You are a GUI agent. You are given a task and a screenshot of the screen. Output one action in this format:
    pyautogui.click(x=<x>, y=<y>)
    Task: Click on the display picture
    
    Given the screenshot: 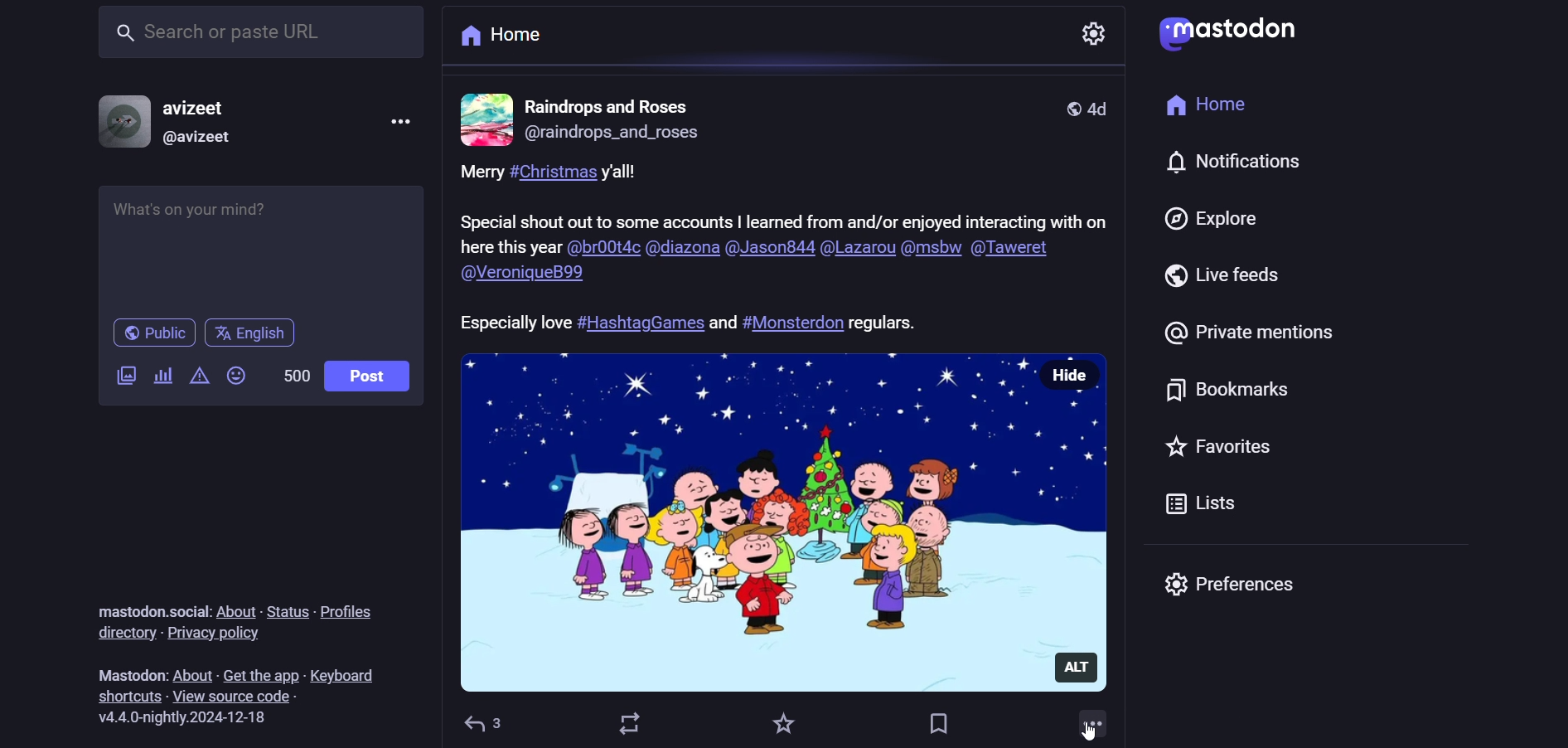 What is the action you would take?
    pyautogui.click(x=118, y=119)
    